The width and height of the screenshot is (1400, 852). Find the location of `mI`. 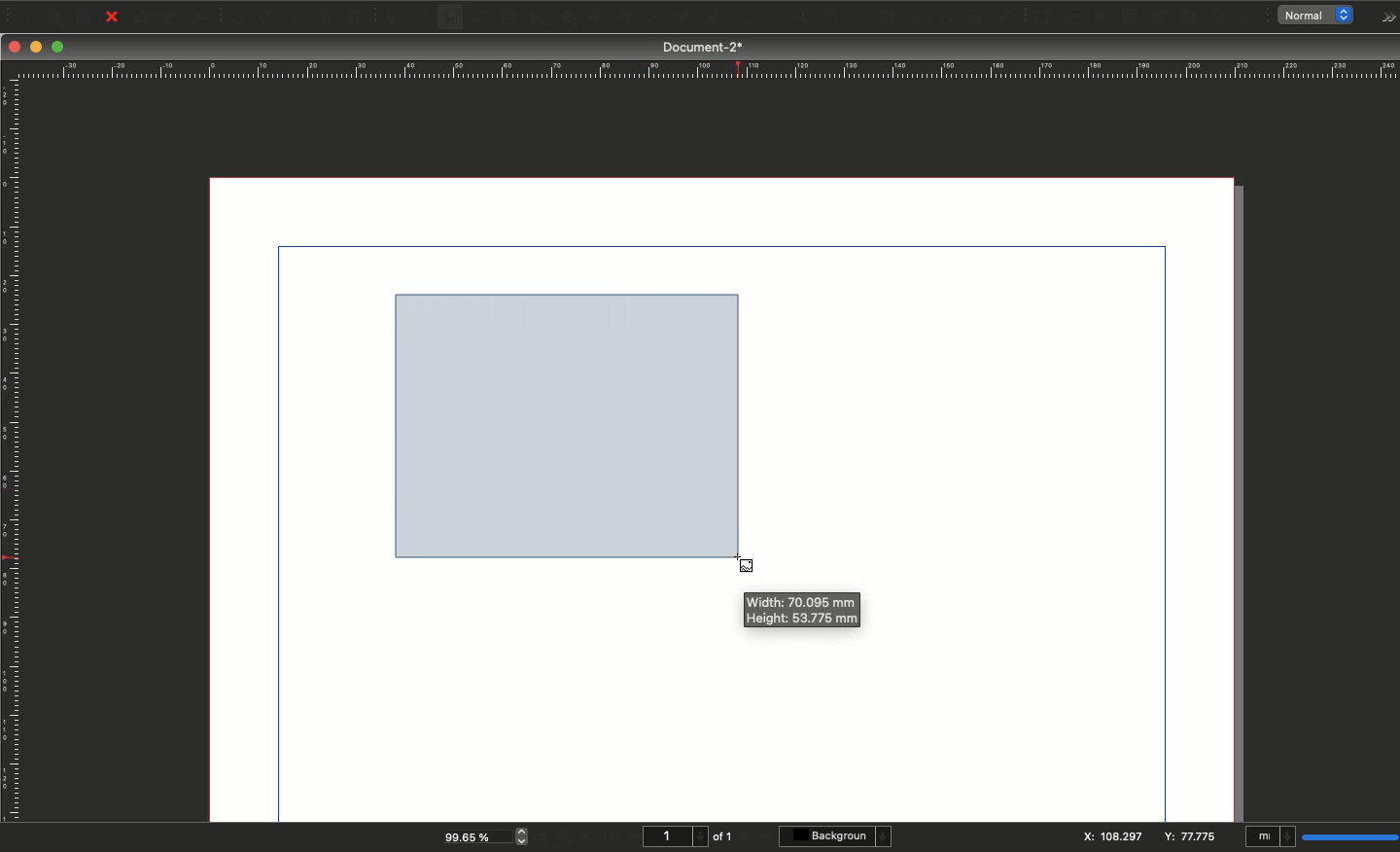

mI is located at coordinates (1271, 838).